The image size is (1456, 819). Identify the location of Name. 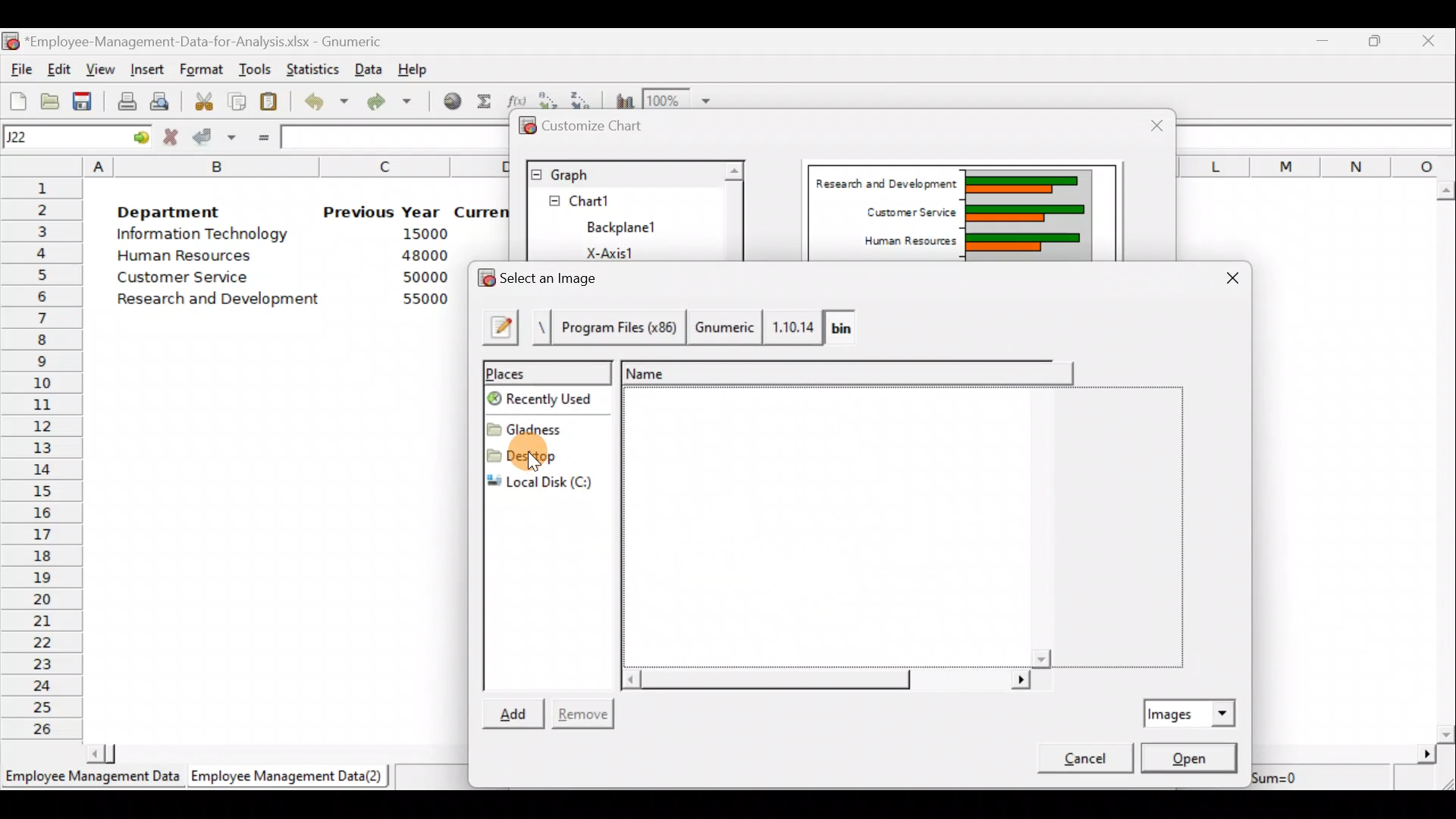
(846, 372).